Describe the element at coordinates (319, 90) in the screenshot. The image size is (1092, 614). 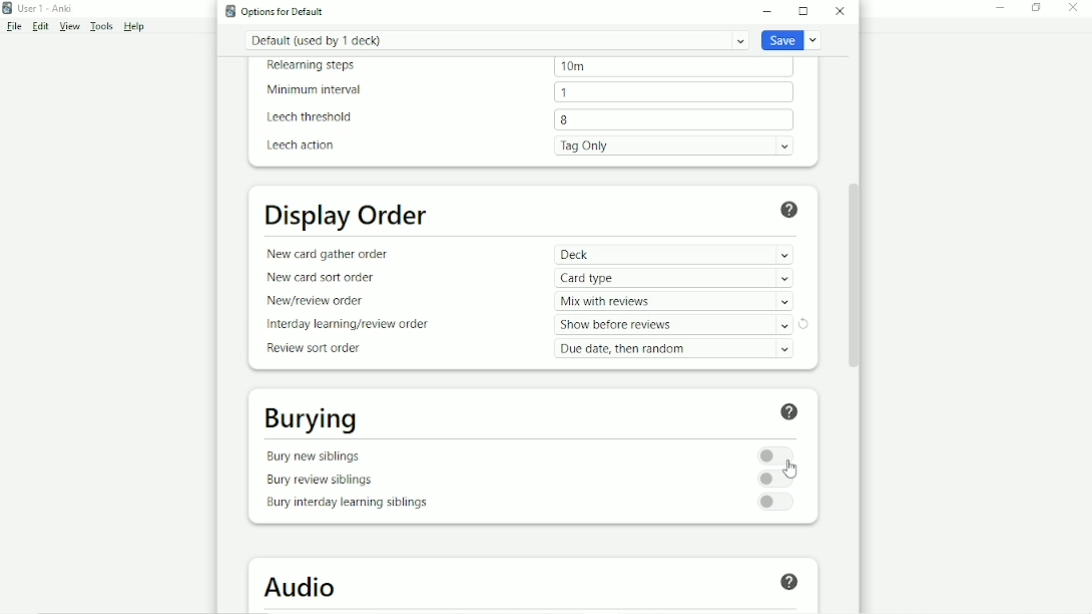
I see `Minimum interval` at that location.